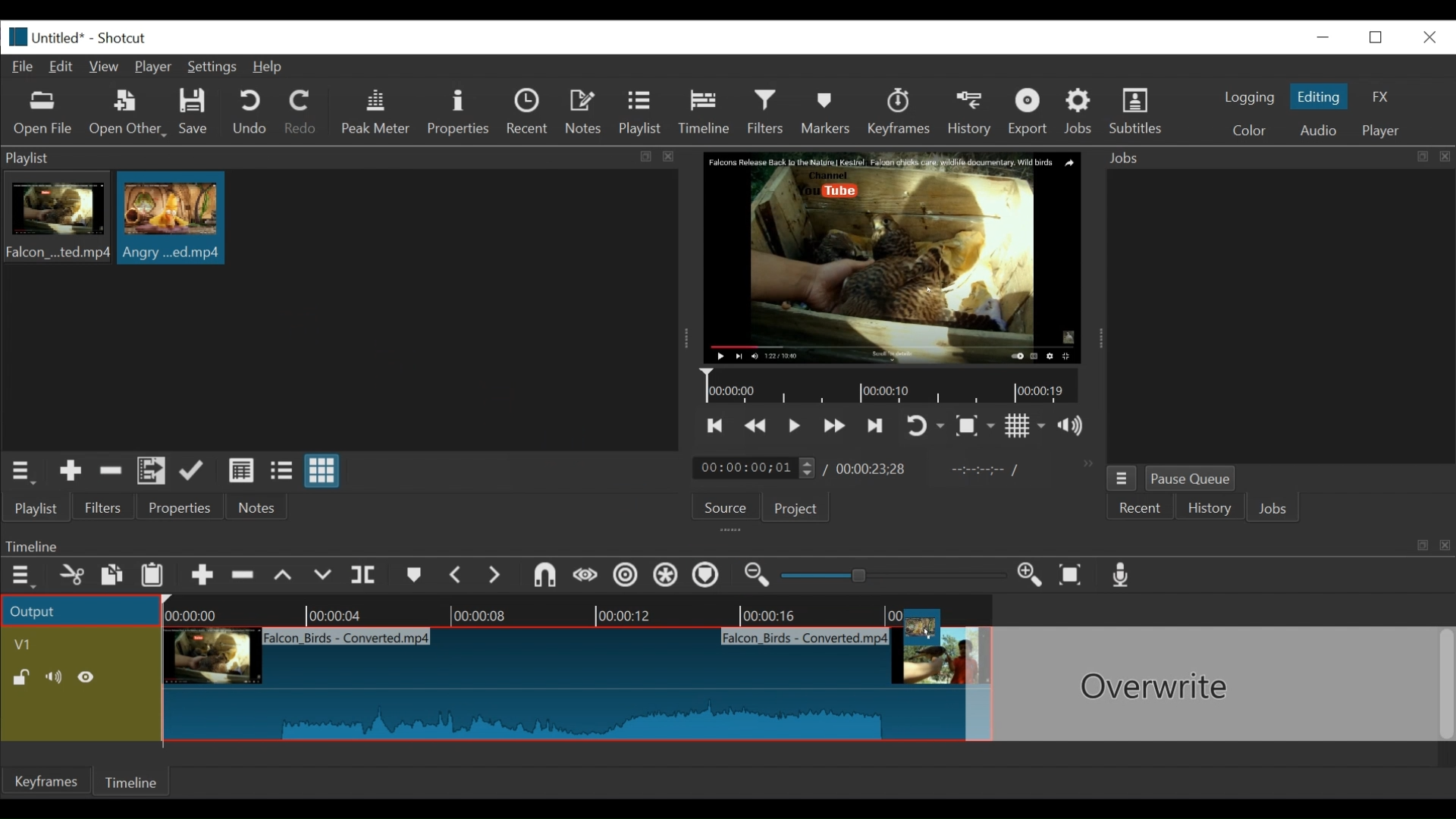 This screenshot has height=819, width=1456. What do you see at coordinates (547, 577) in the screenshot?
I see `snap` at bounding box center [547, 577].